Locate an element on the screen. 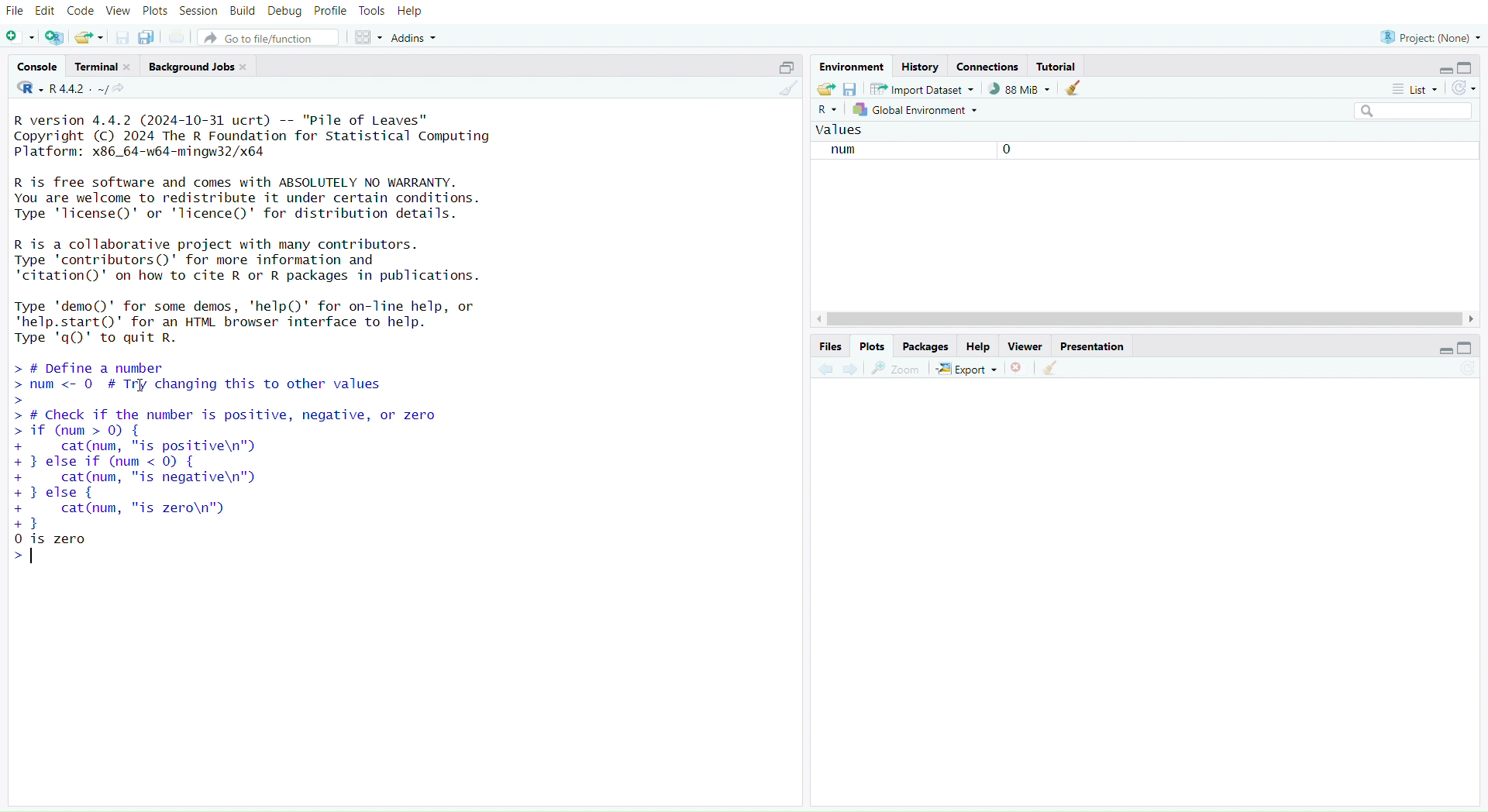 Image resolution: width=1488 pixels, height=812 pixels. cursor is located at coordinates (140, 387).